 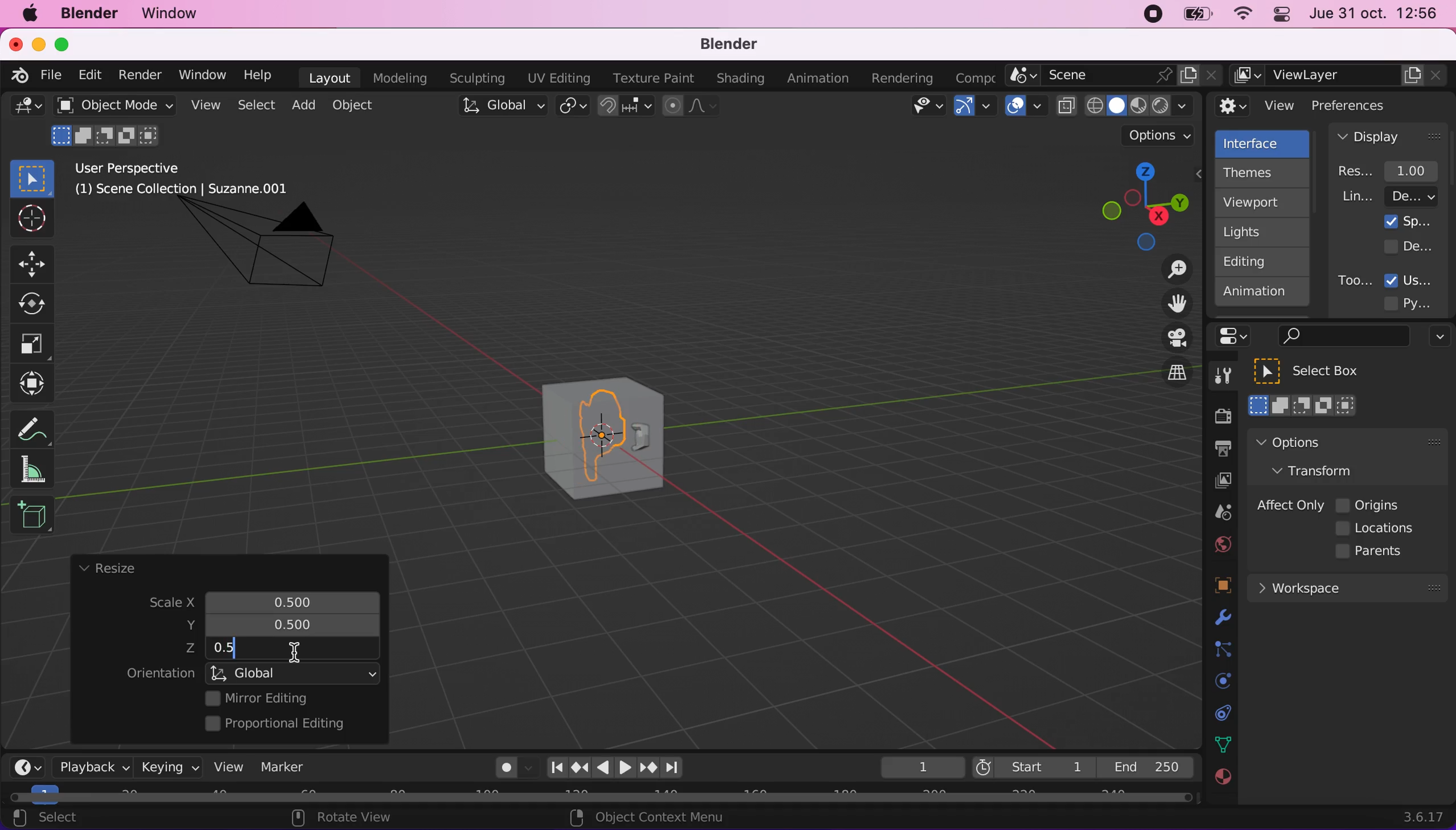 What do you see at coordinates (1341, 337) in the screenshot?
I see `search` at bounding box center [1341, 337].